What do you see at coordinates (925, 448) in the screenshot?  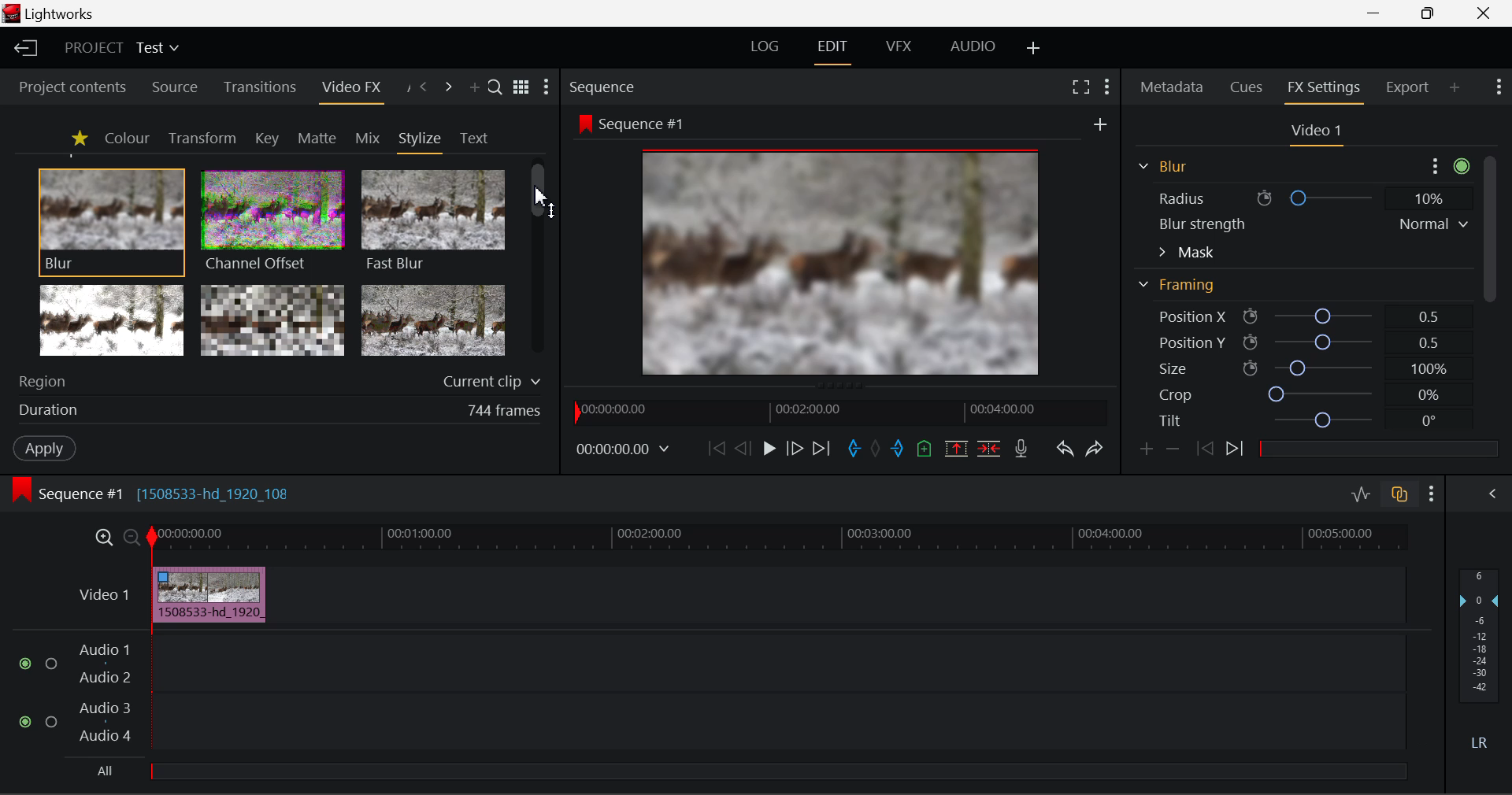 I see `Mark Cue` at bounding box center [925, 448].